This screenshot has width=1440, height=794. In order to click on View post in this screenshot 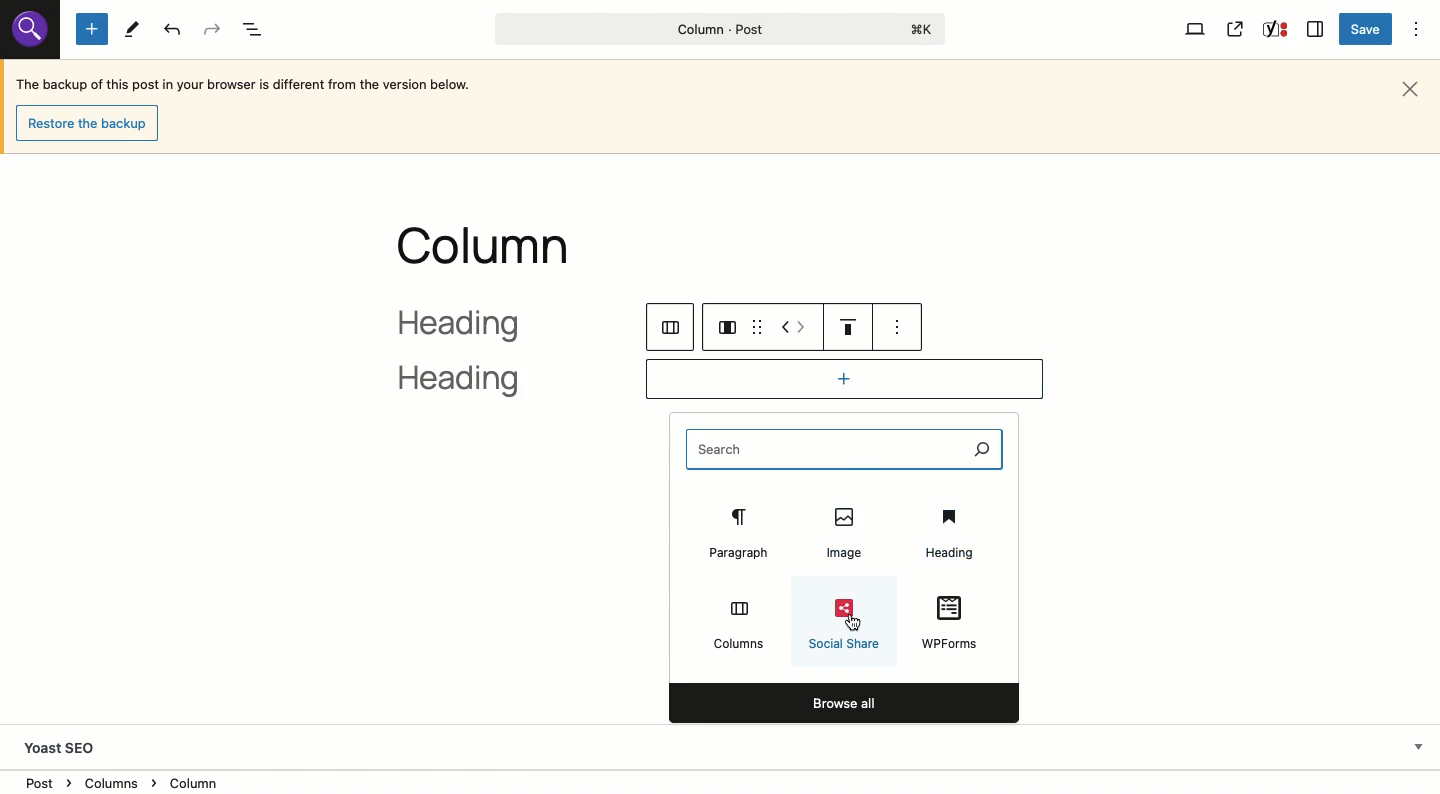, I will do `click(1236, 29)`.